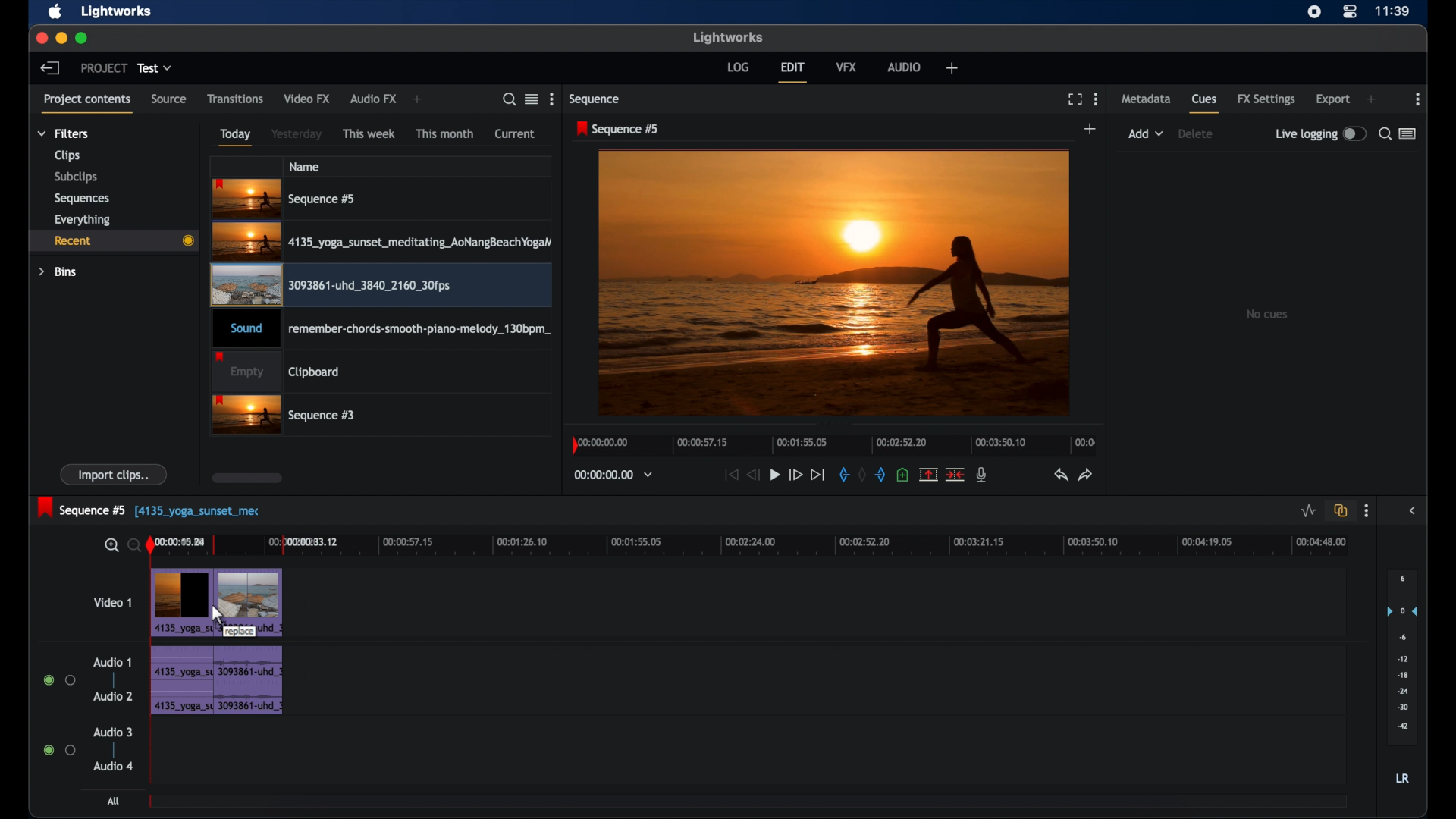 This screenshot has height=819, width=1456. Describe the element at coordinates (82, 38) in the screenshot. I see `maximize` at that location.